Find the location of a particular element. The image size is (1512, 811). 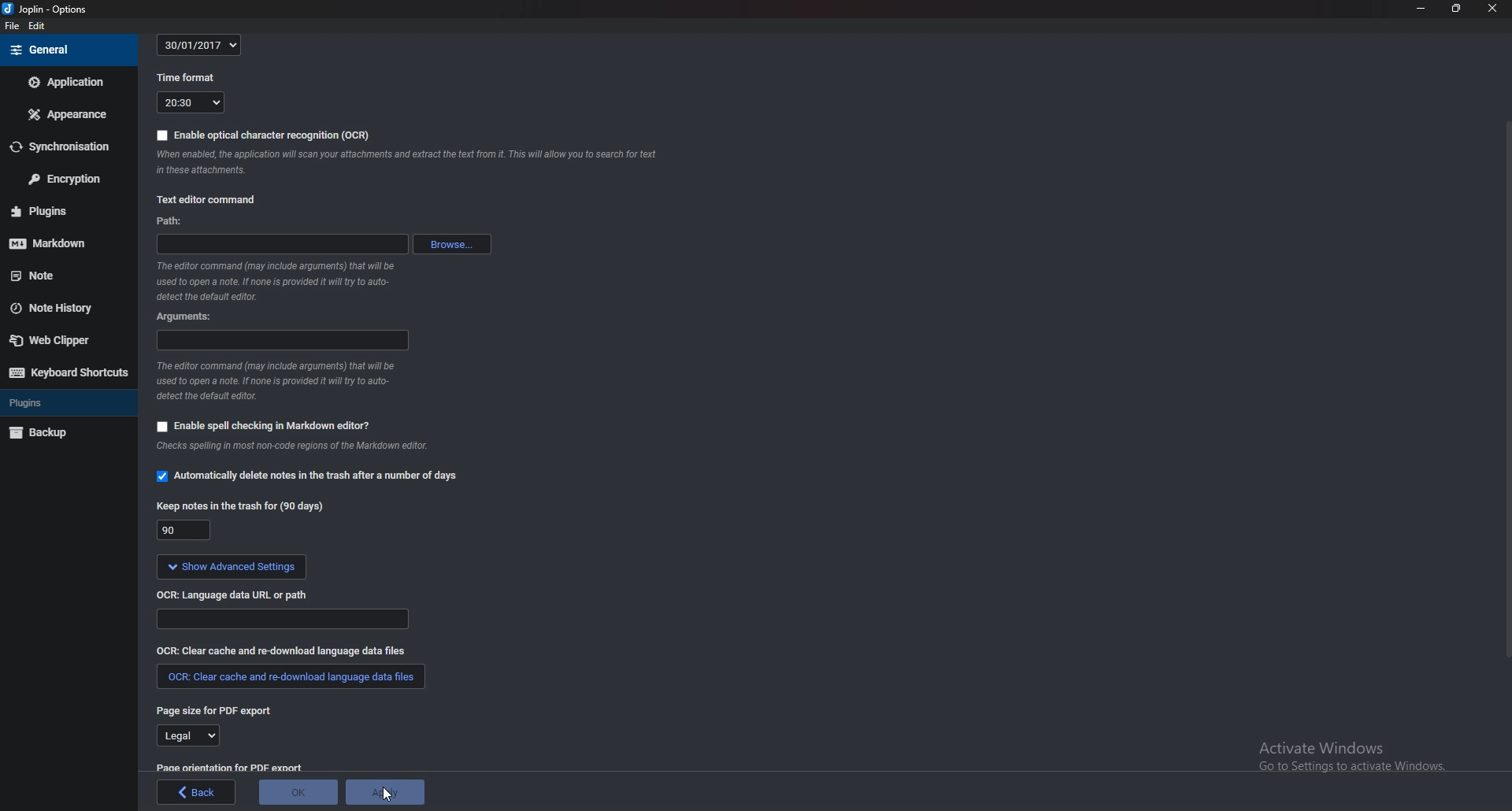

Edit is located at coordinates (36, 25).